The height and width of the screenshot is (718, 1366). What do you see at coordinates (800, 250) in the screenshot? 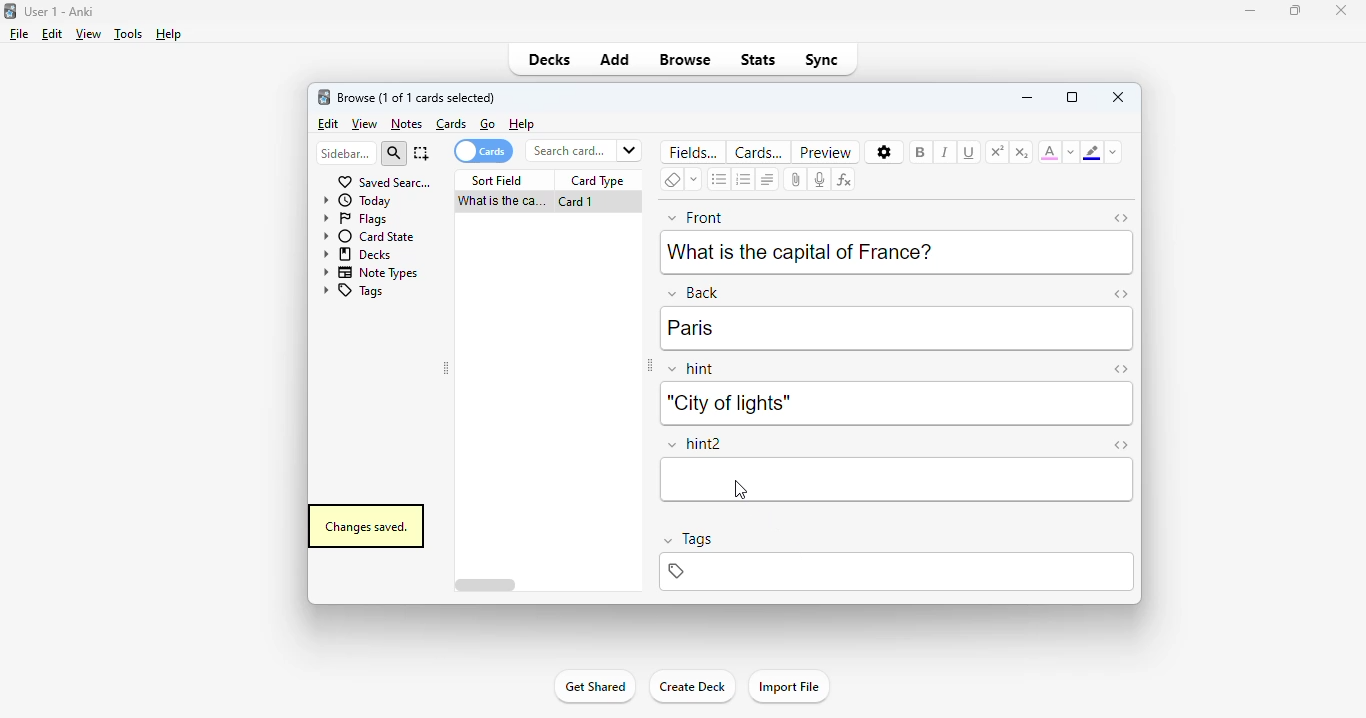
I see `what is the capital of France?` at bounding box center [800, 250].